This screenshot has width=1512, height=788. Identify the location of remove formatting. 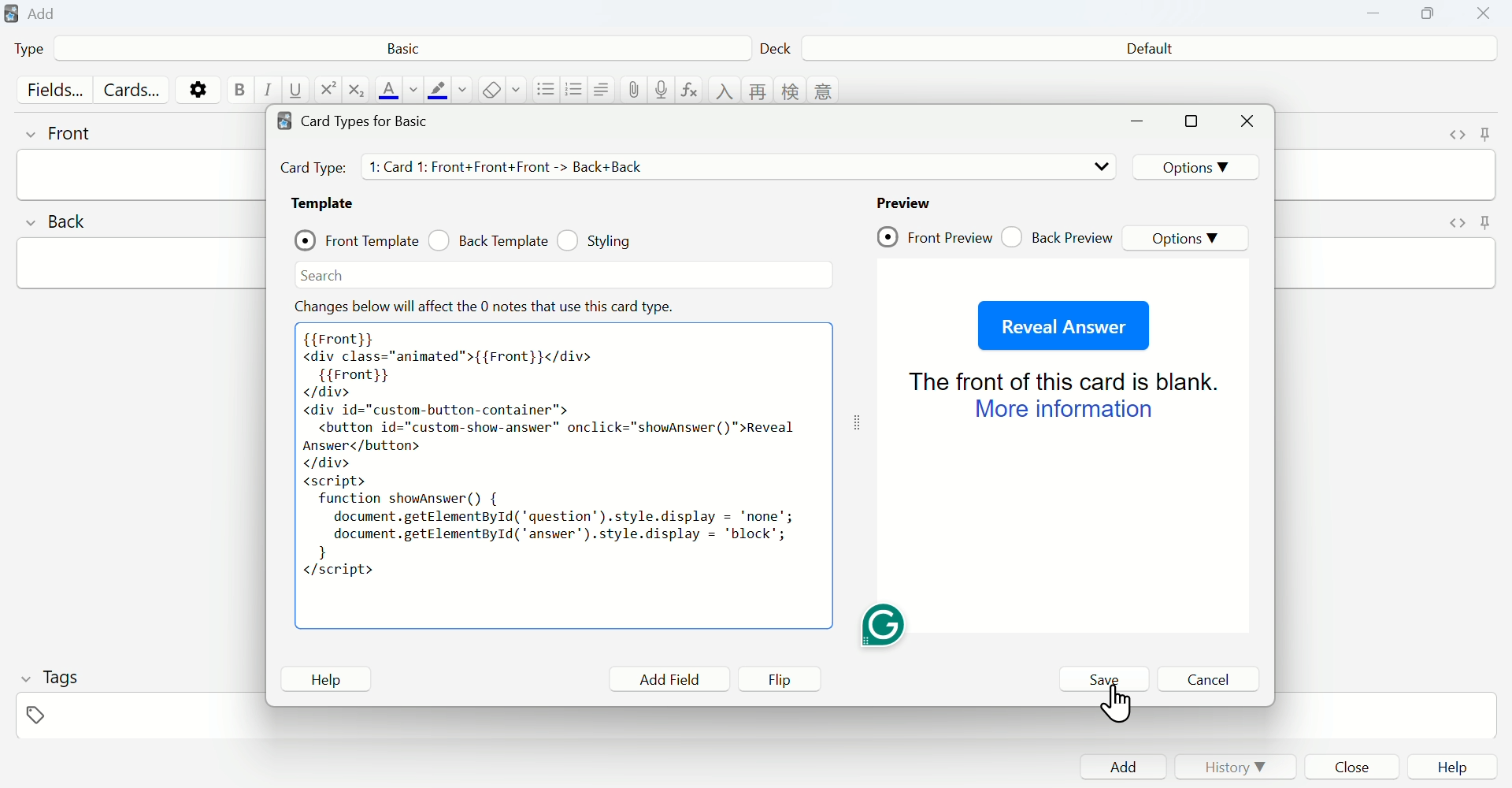
(493, 90).